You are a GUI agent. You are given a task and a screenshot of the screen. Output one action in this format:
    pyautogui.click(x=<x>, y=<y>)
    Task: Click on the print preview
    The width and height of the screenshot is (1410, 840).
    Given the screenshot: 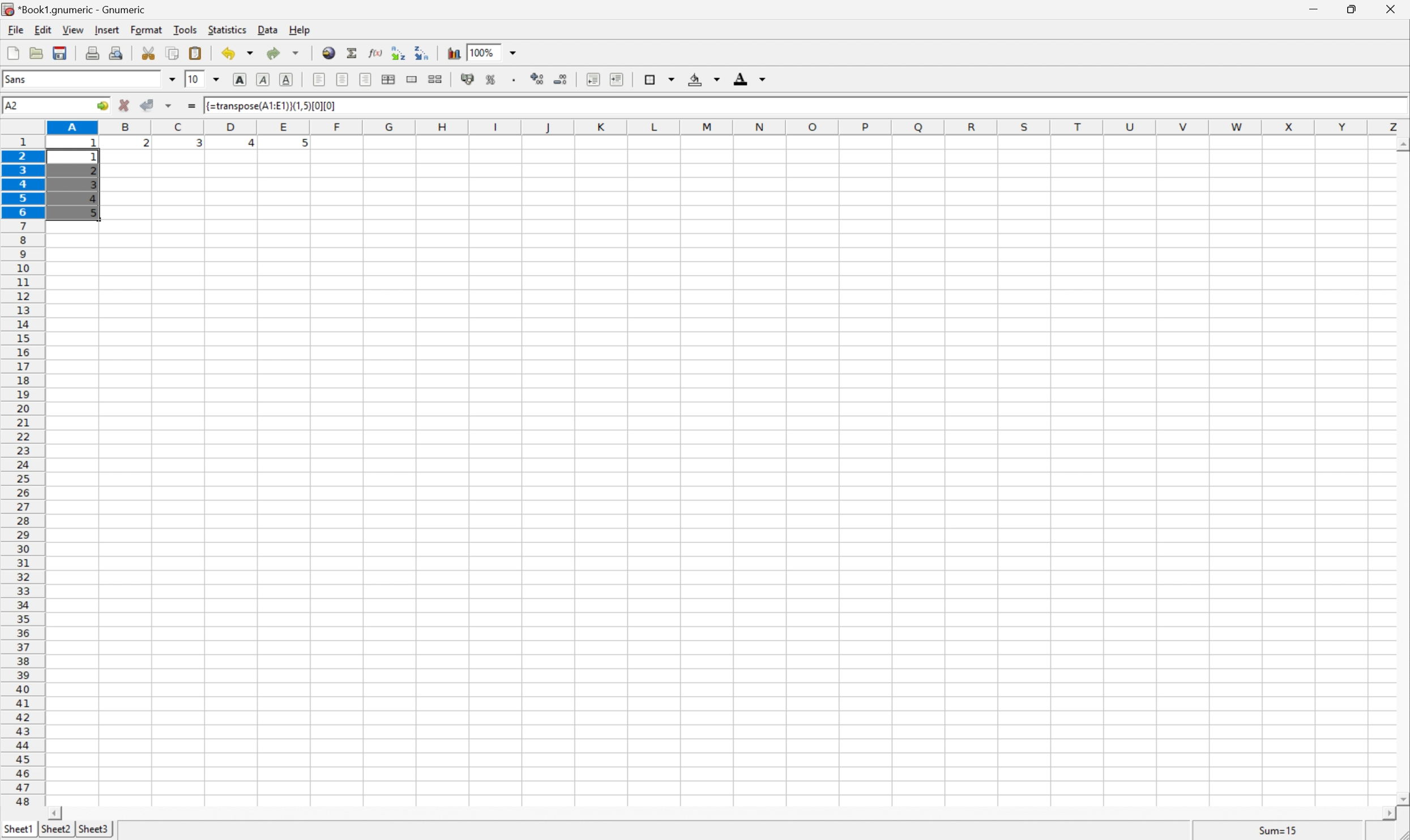 What is the action you would take?
    pyautogui.click(x=117, y=52)
    